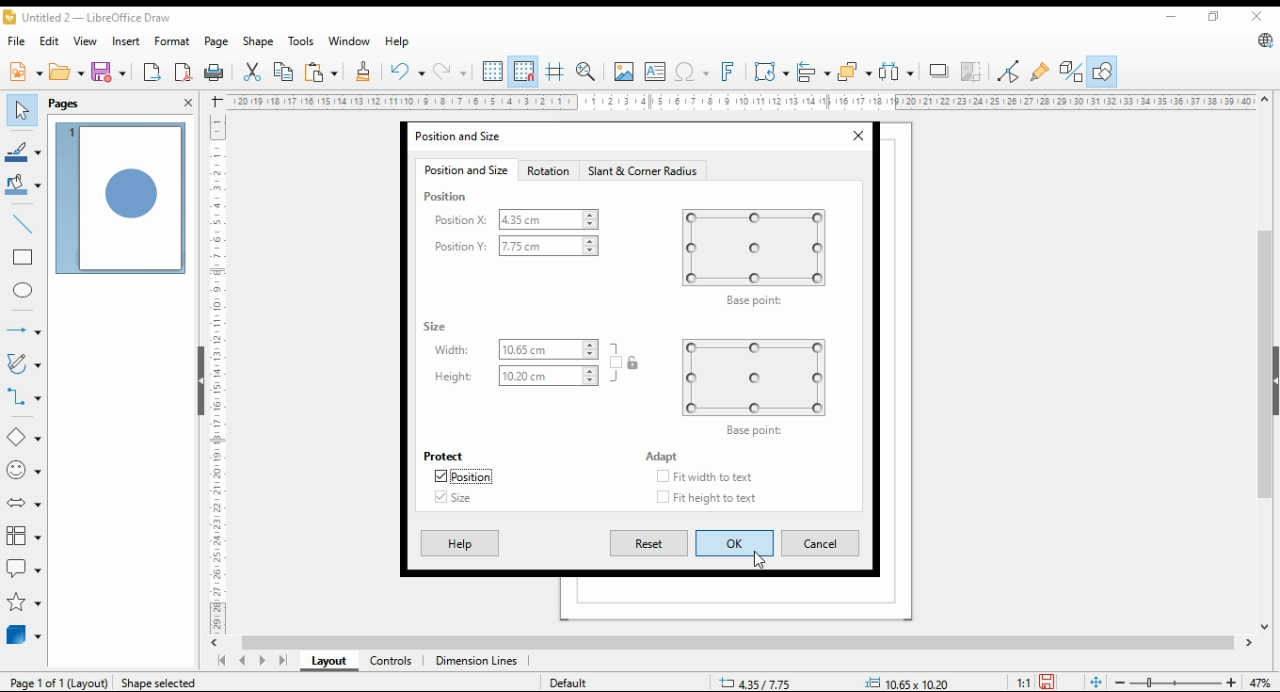 The width and height of the screenshot is (1280, 692). What do you see at coordinates (407, 72) in the screenshot?
I see `undo` at bounding box center [407, 72].